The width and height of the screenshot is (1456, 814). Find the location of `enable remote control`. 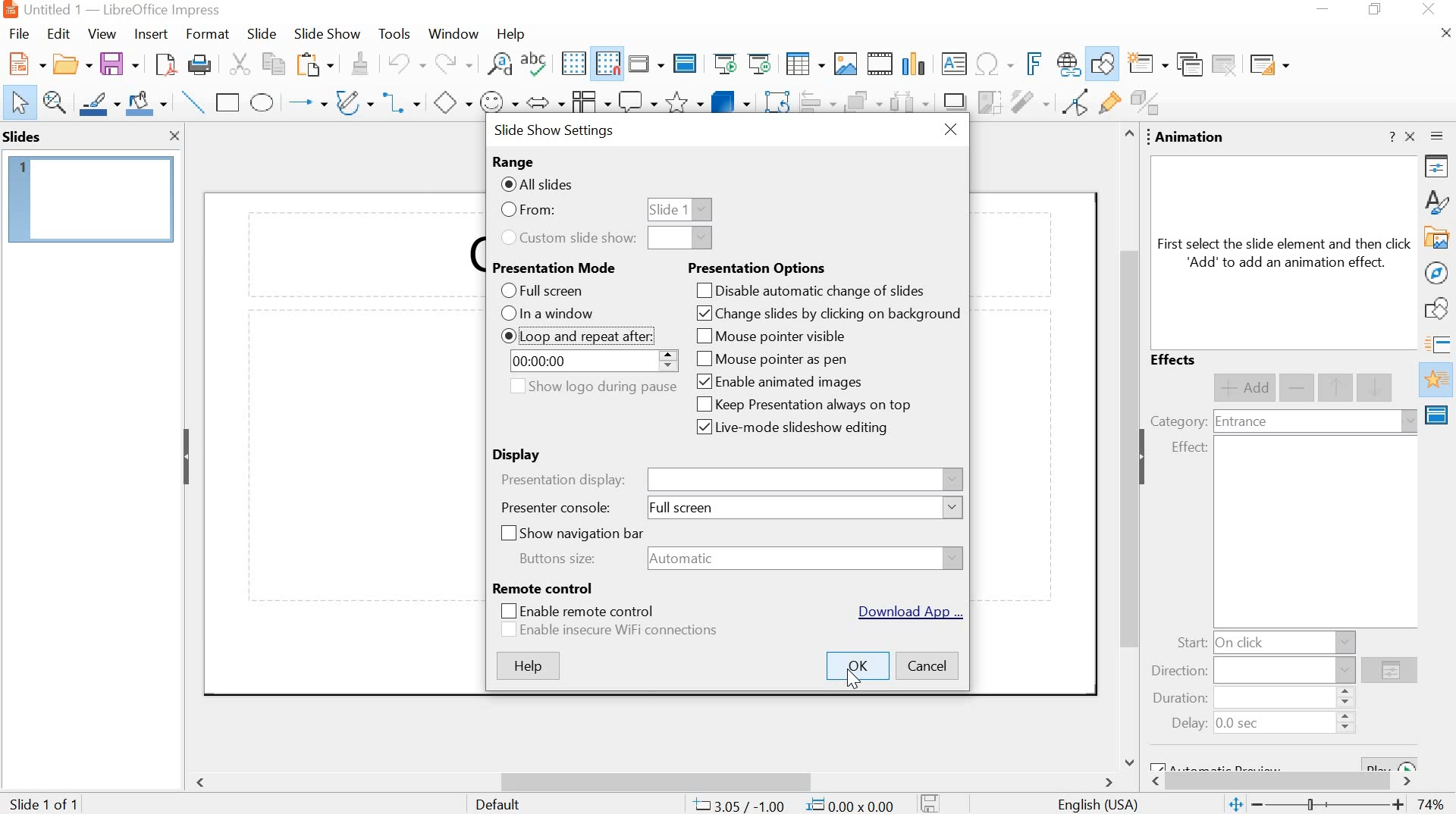

enable remote control is located at coordinates (574, 611).